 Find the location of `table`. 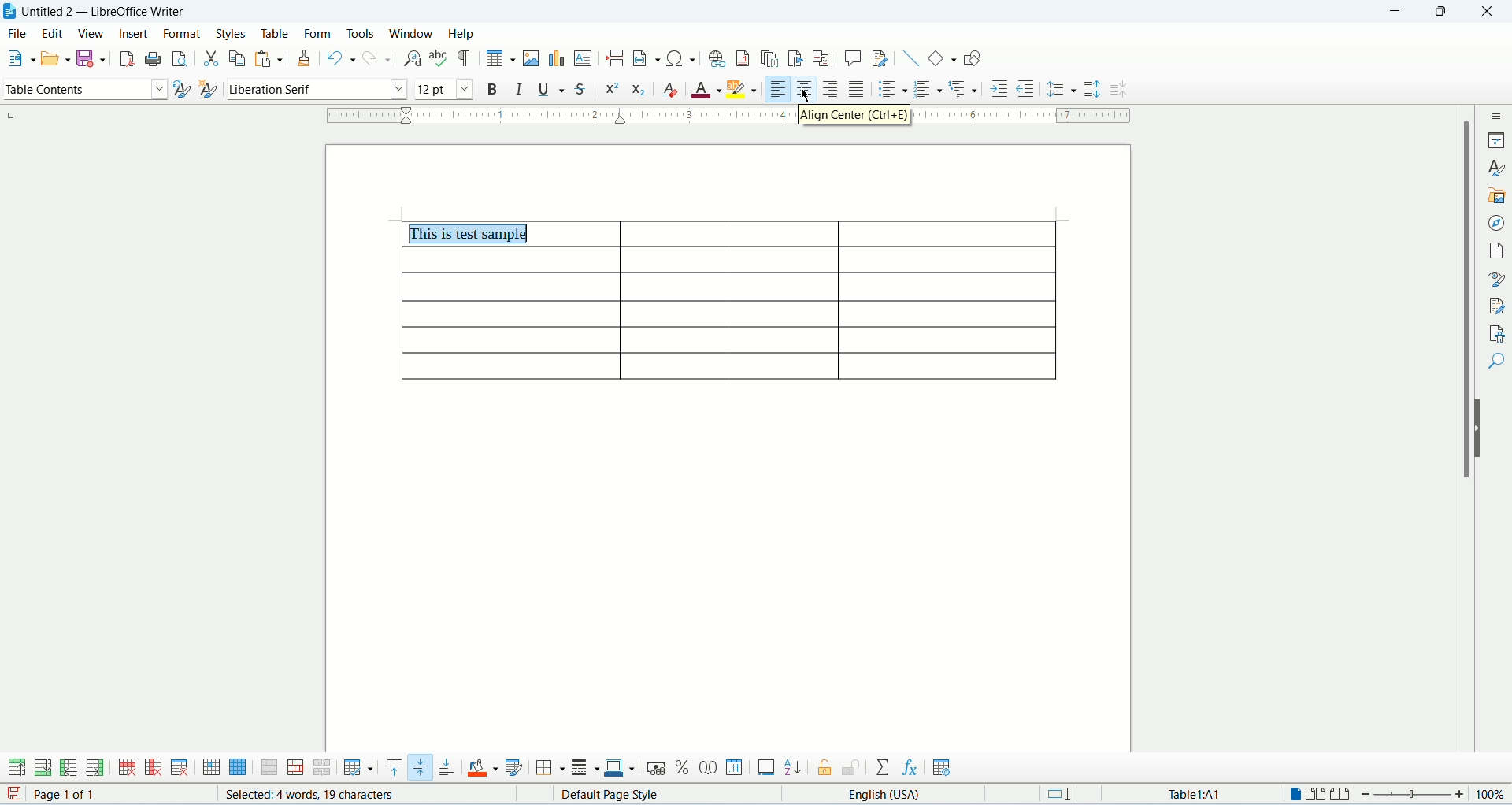

table is located at coordinates (280, 33).